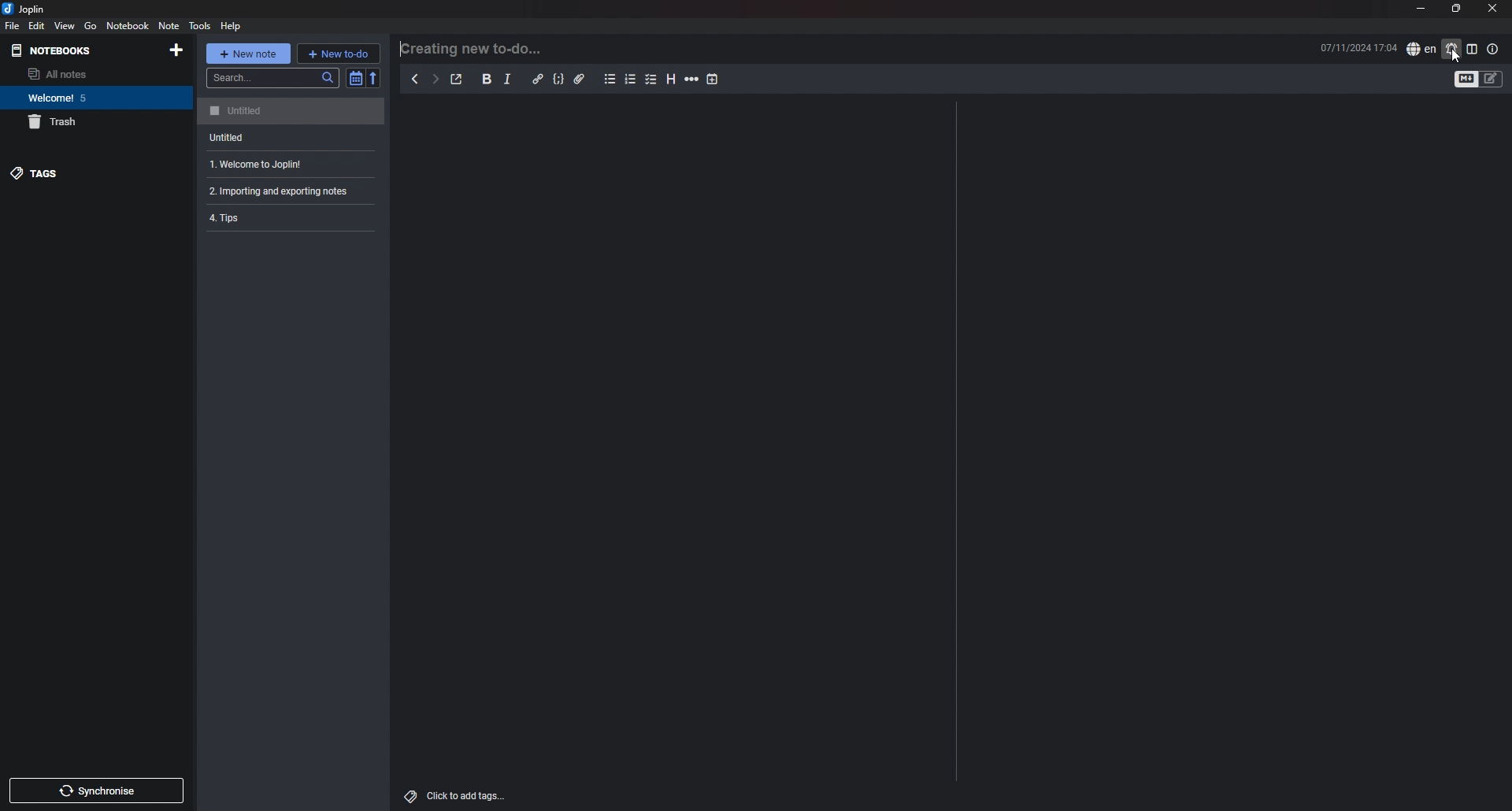 The height and width of the screenshot is (811, 1512). What do you see at coordinates (1465, 79) in the screenshot?
I see `toggle editor` at bounding box center [1465, 79].